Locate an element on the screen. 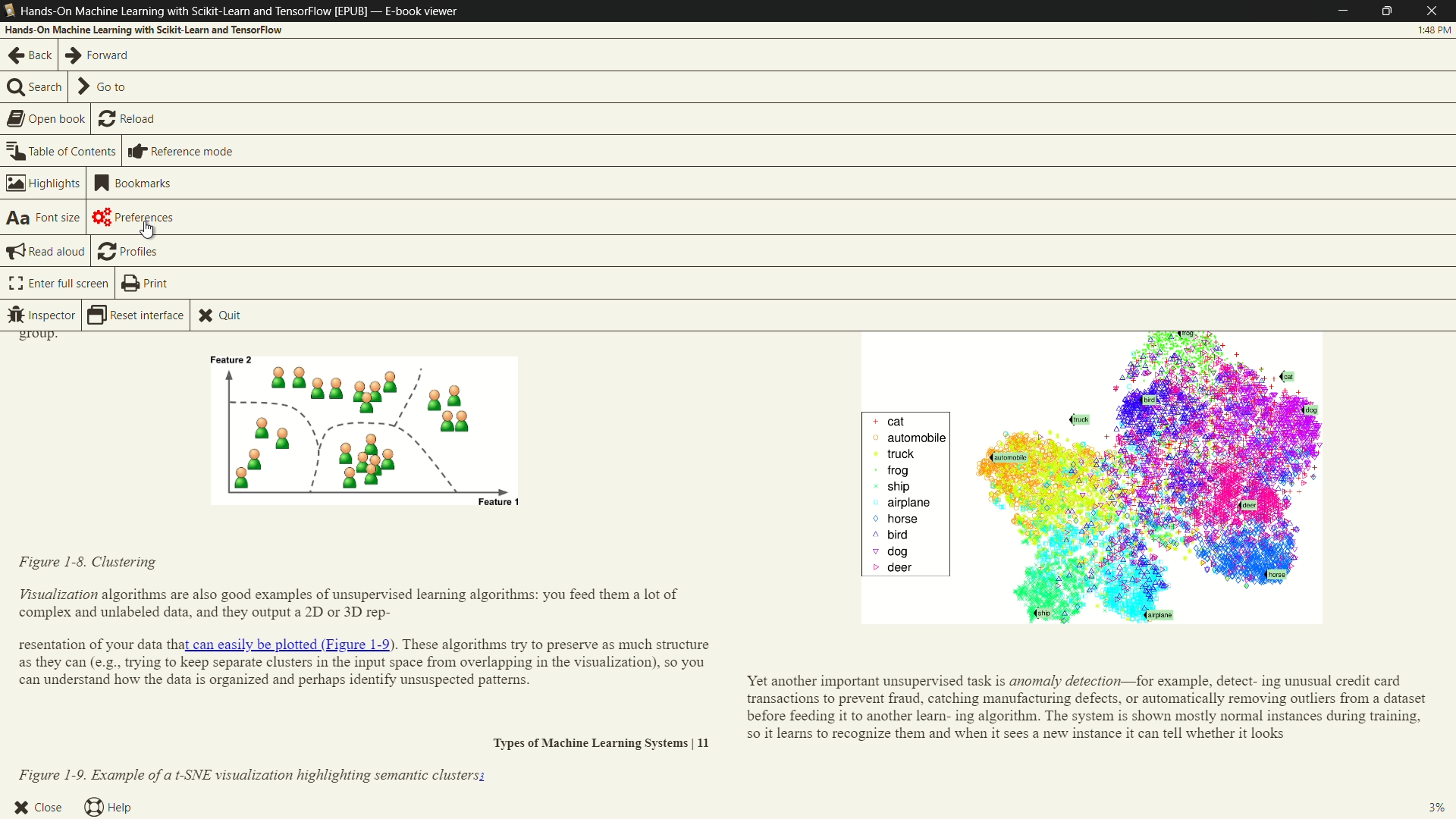 The image size is (1456, 819). reference mode is located at coordinates (180, 152).